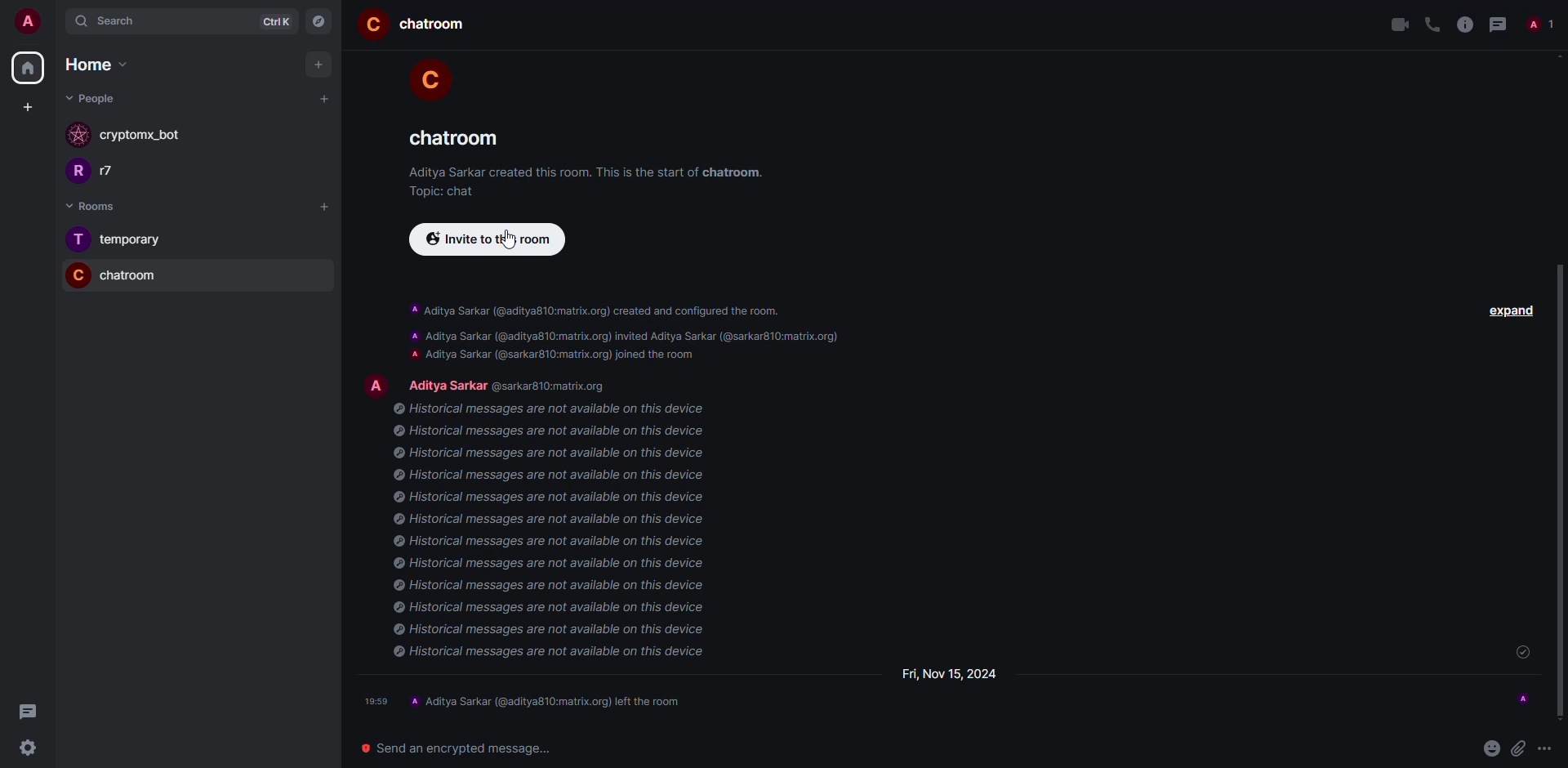 The image size is (1568, 768). I want to click on send encrypted message, so click(450, 747).